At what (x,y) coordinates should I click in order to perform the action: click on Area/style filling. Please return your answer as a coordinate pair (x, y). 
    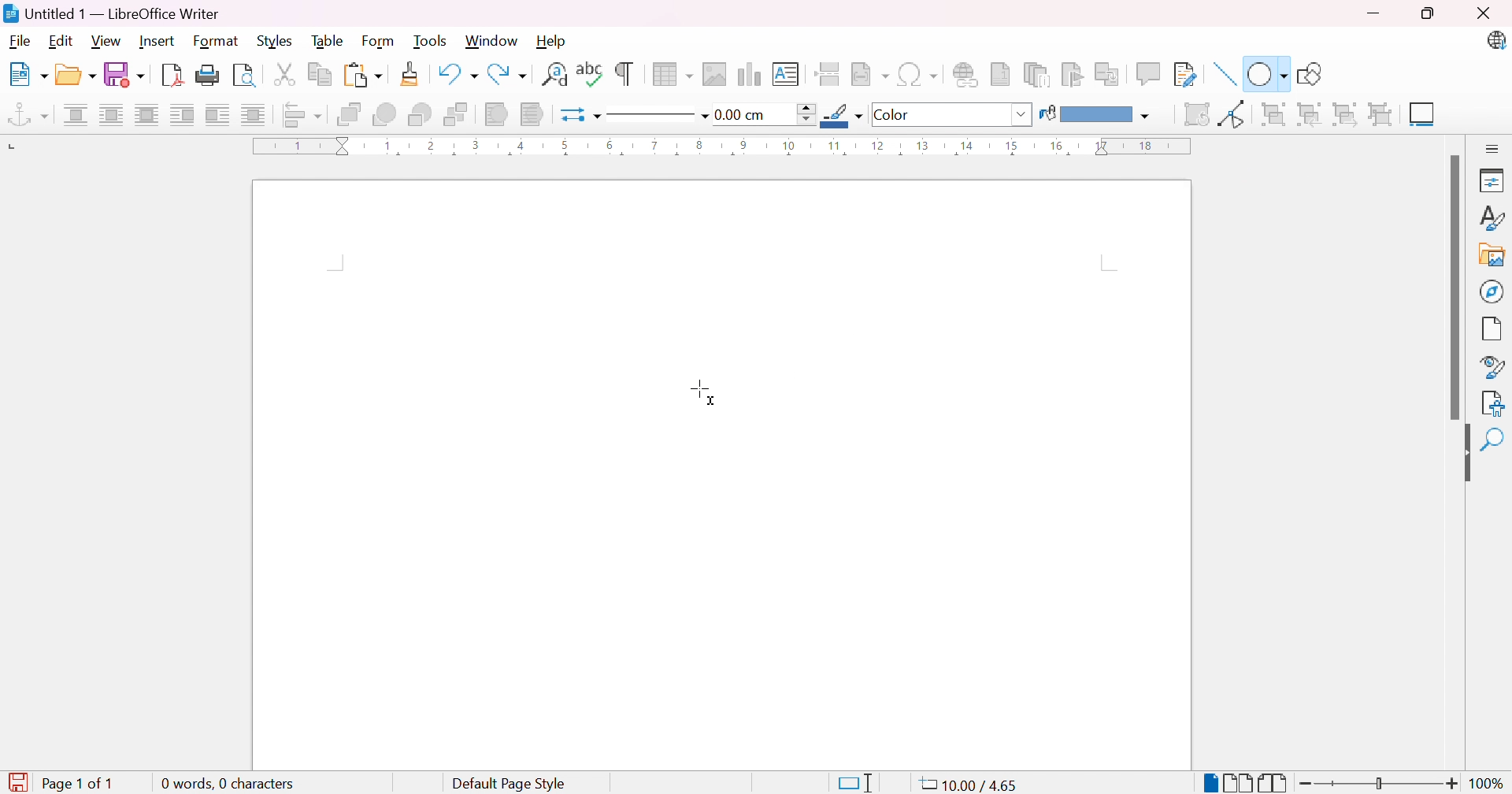
    Looking at the image, I should click on (943, 115).